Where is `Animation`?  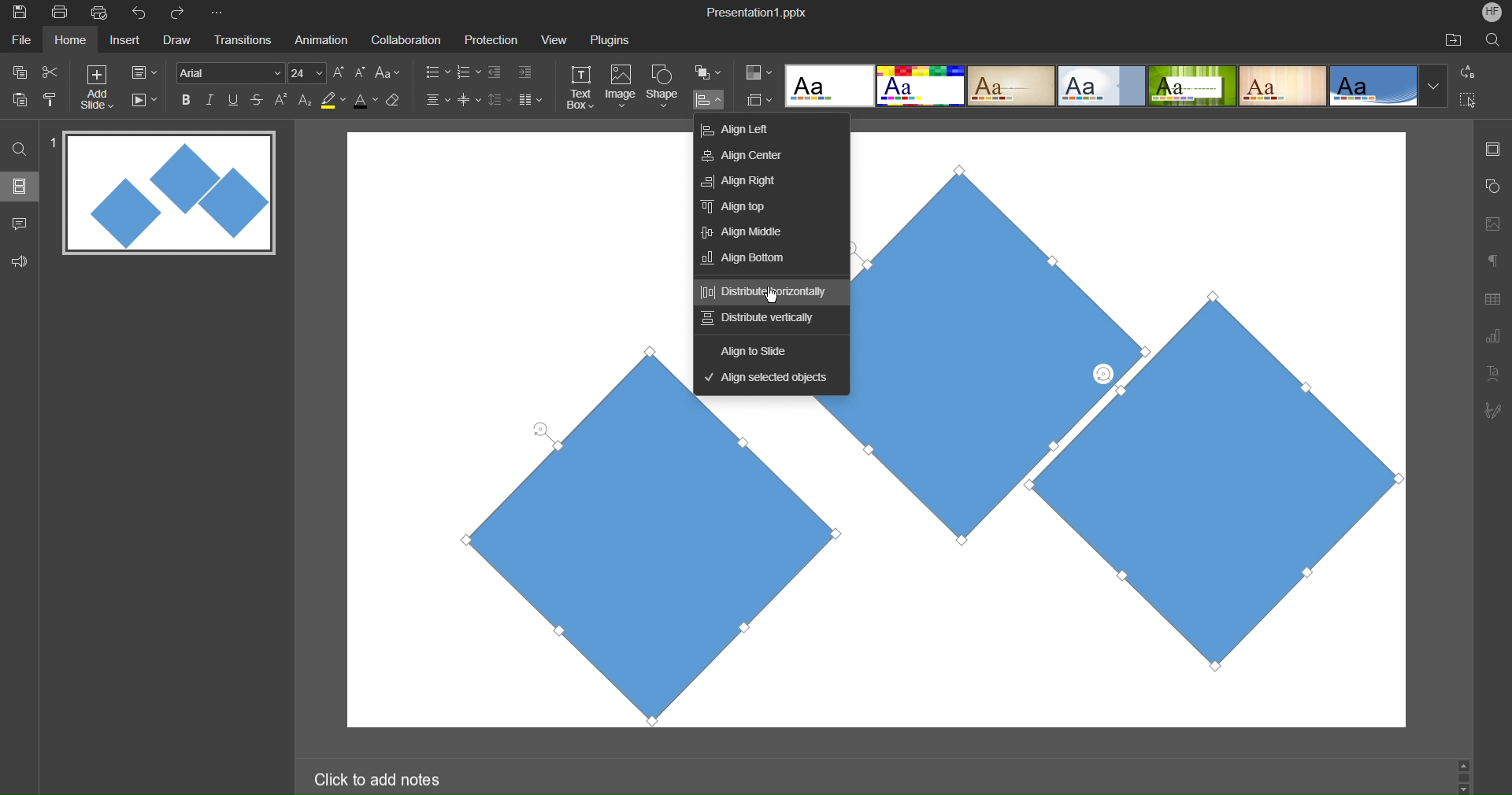
Animation is located at coordinates (320, 39).